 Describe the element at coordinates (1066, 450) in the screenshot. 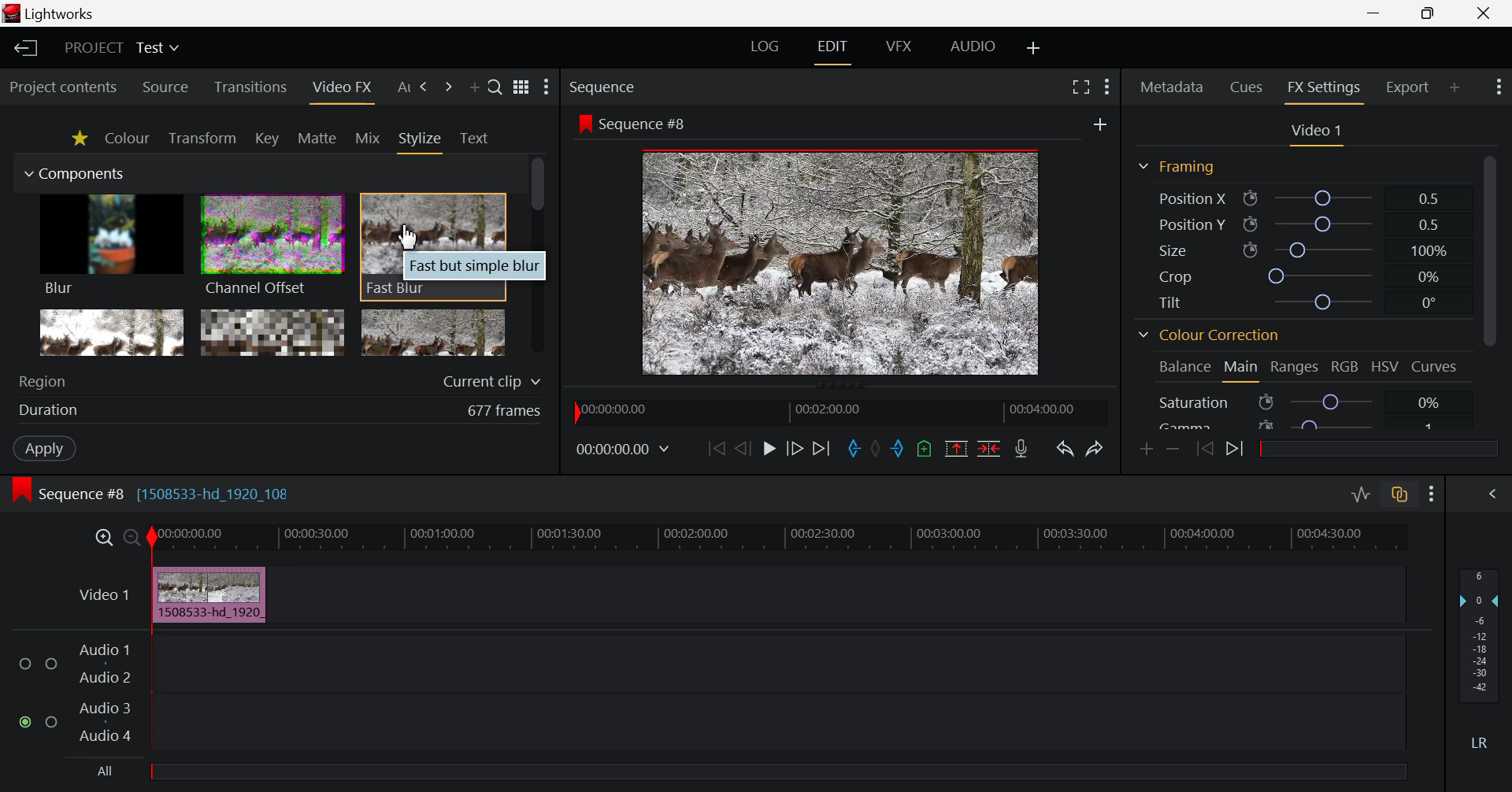

I see `Undo` at that location.